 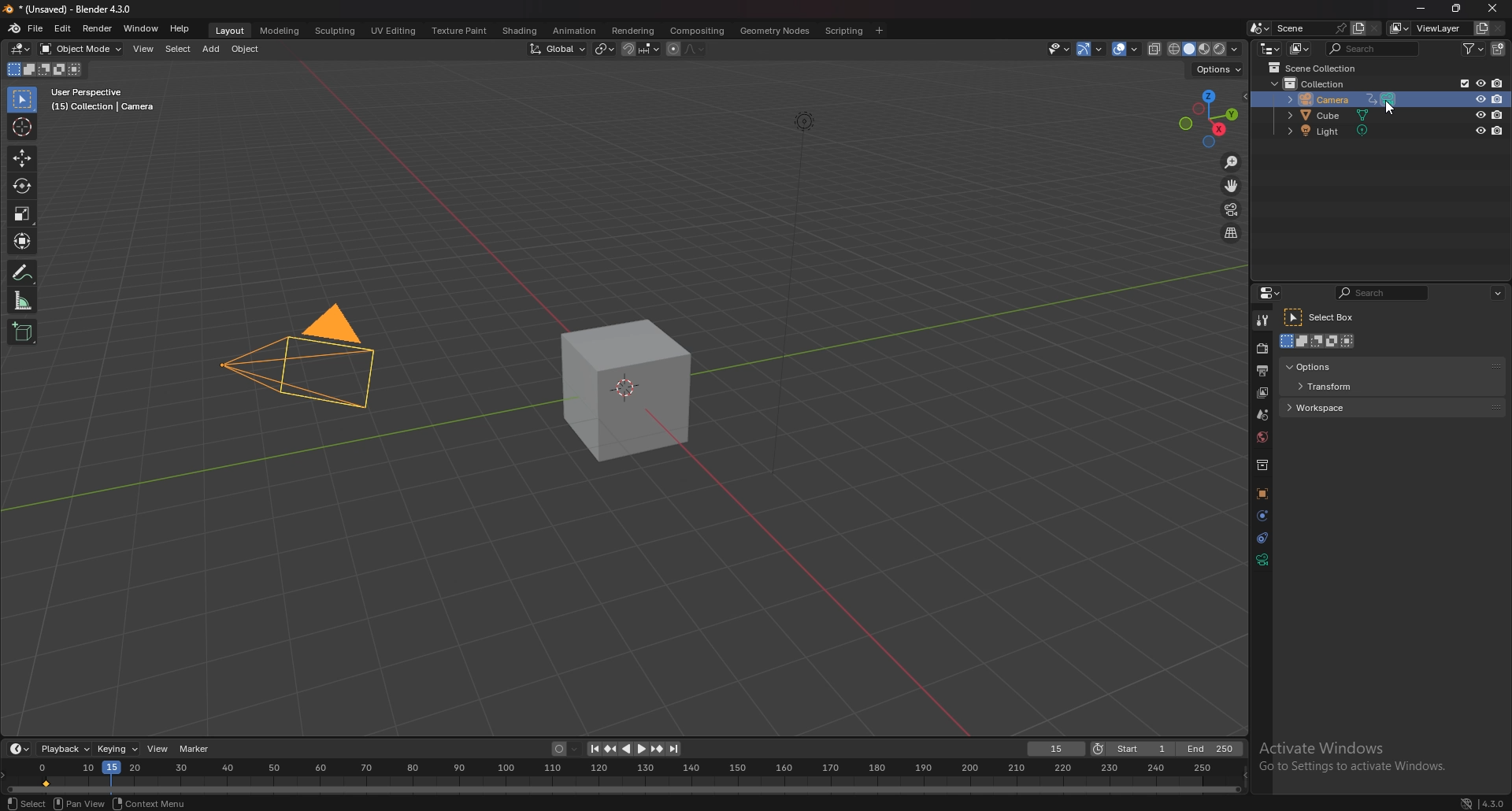 What do you see at coordinates (180, 29) in the screenshot?
I see `help` at bounding box center [180, 29].